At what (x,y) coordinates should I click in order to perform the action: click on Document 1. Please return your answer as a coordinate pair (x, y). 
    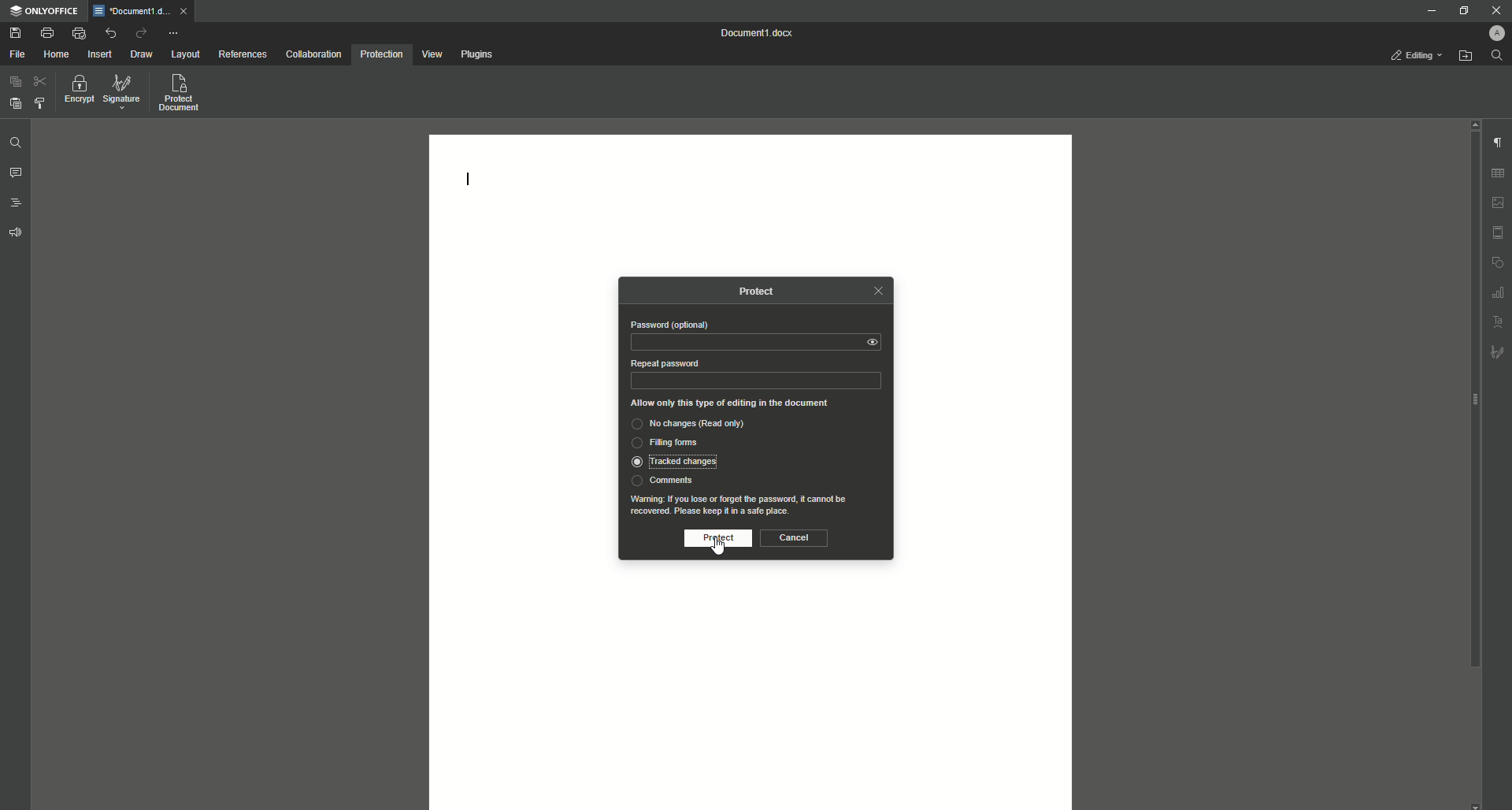
    Looking at the image, I should click on (760, 33).